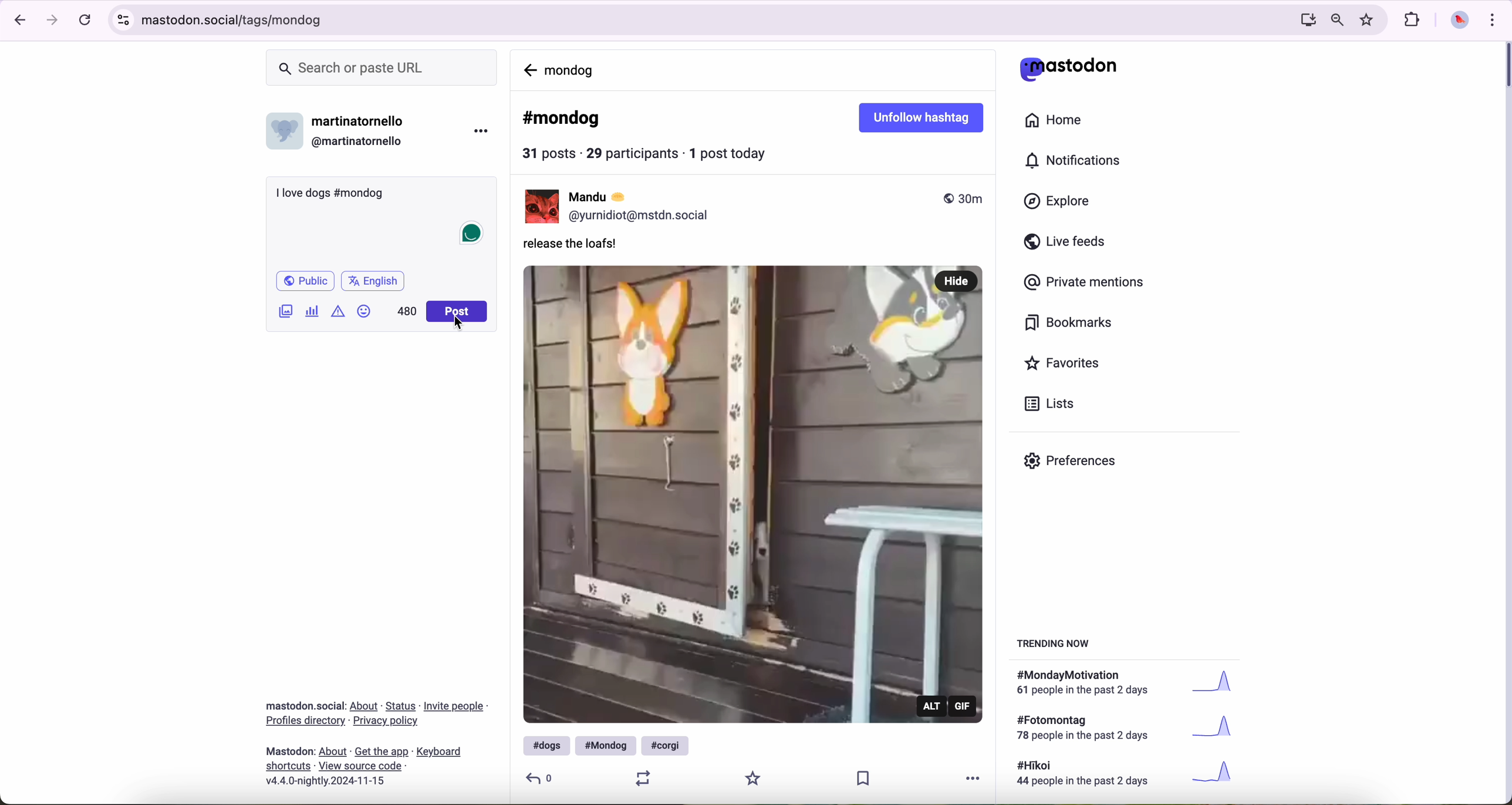  Describe the element at coordinates (696, 22) in the screenshot. I see `URL` at that location.